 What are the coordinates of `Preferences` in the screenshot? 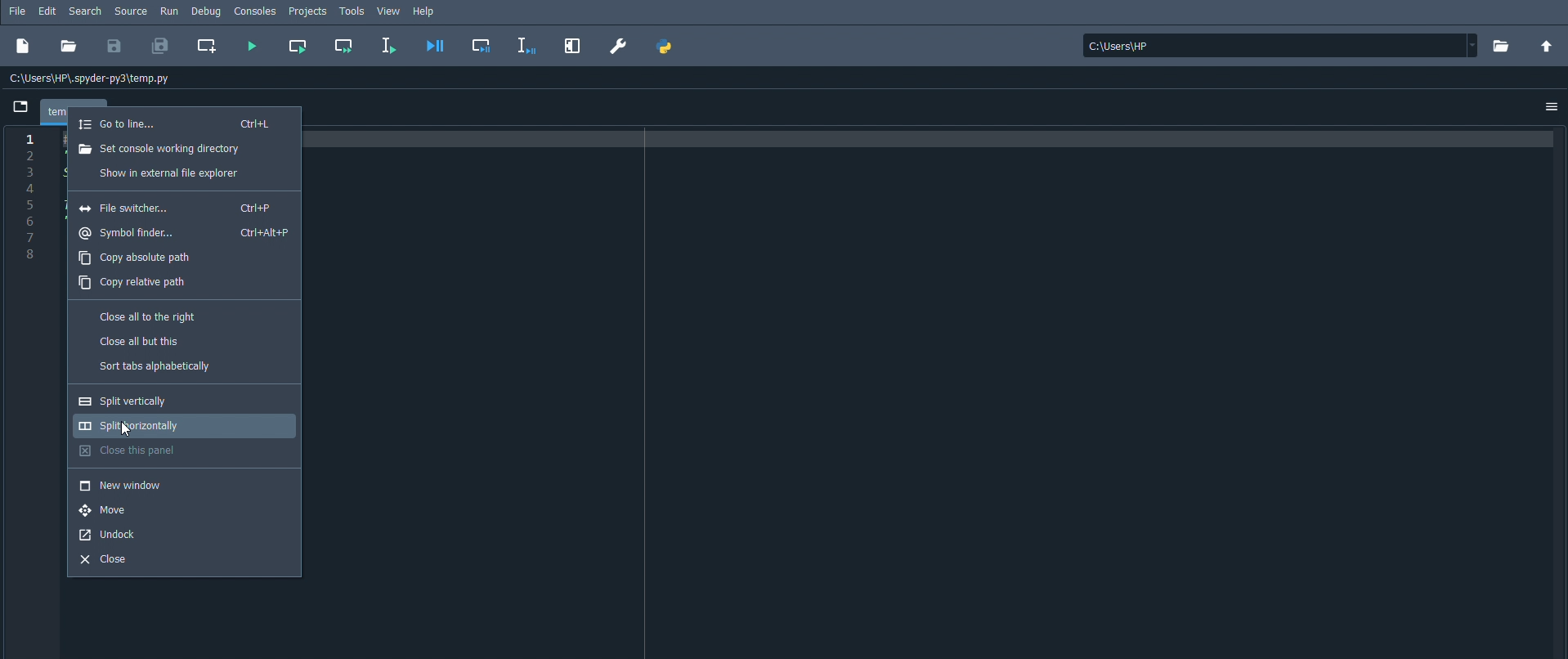 It's located at (617, 46).